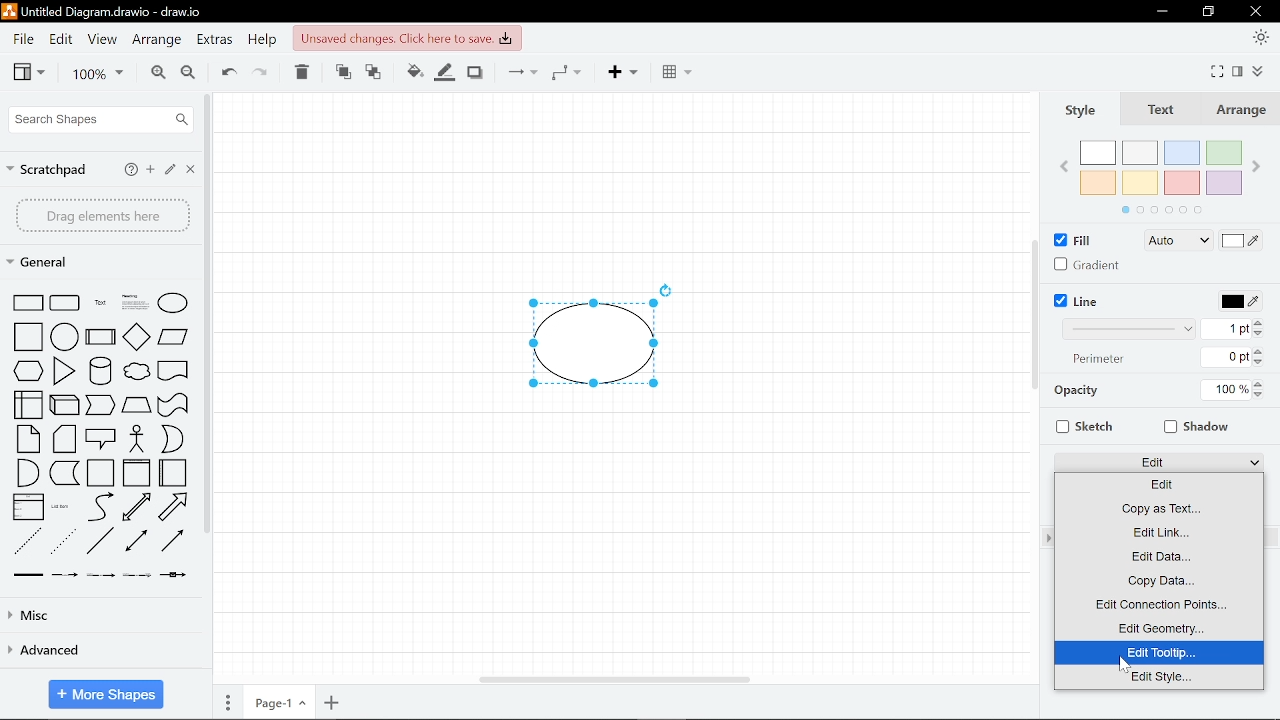 Image resolution: width=1280 pixels, height=720 pixels. Describe the element at coordinates (134, 302) in the screenshot. I see `heading` at that location.